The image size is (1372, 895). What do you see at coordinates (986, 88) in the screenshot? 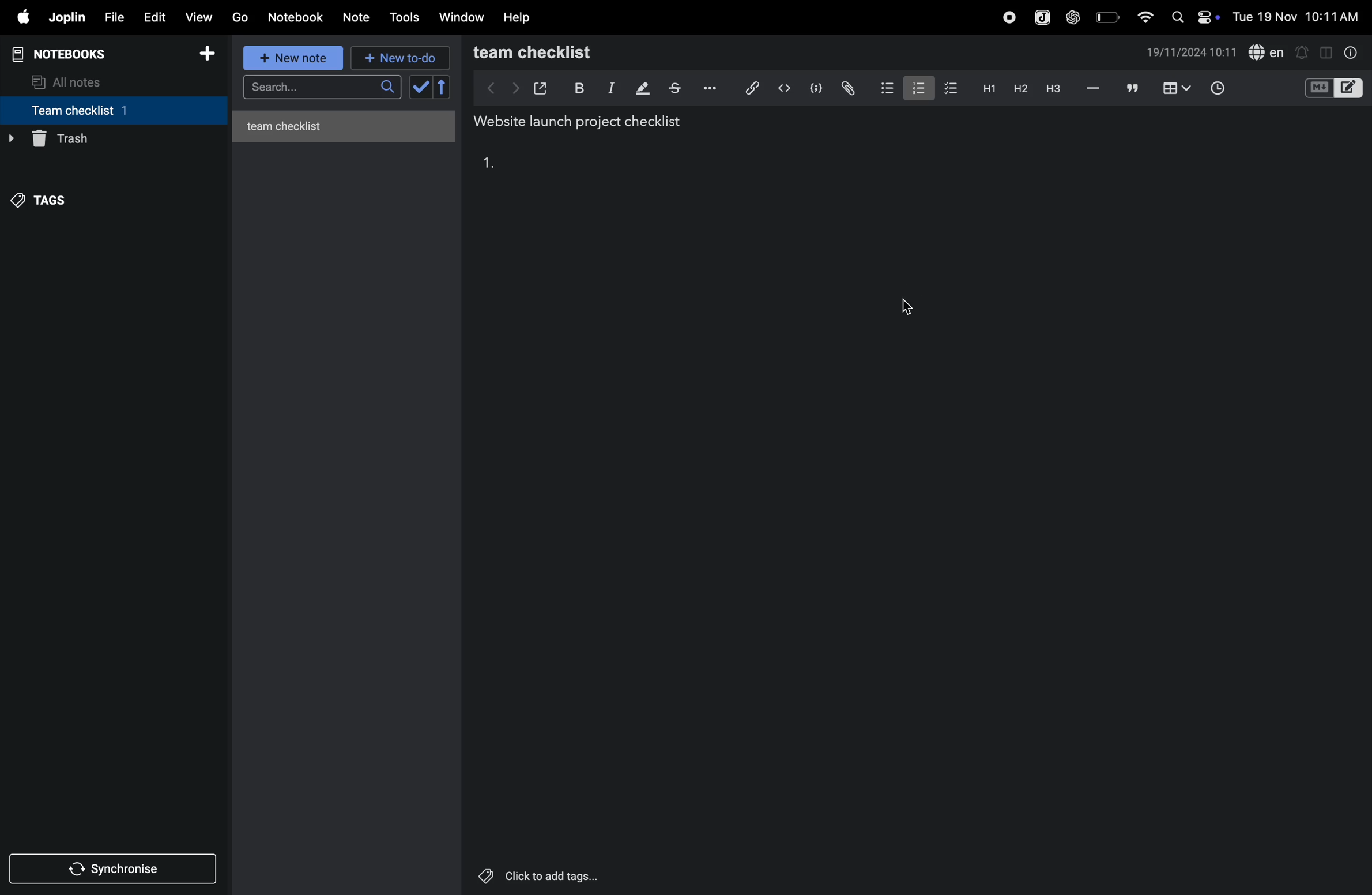
I see `heading 2` at bounding box center [986, 88].